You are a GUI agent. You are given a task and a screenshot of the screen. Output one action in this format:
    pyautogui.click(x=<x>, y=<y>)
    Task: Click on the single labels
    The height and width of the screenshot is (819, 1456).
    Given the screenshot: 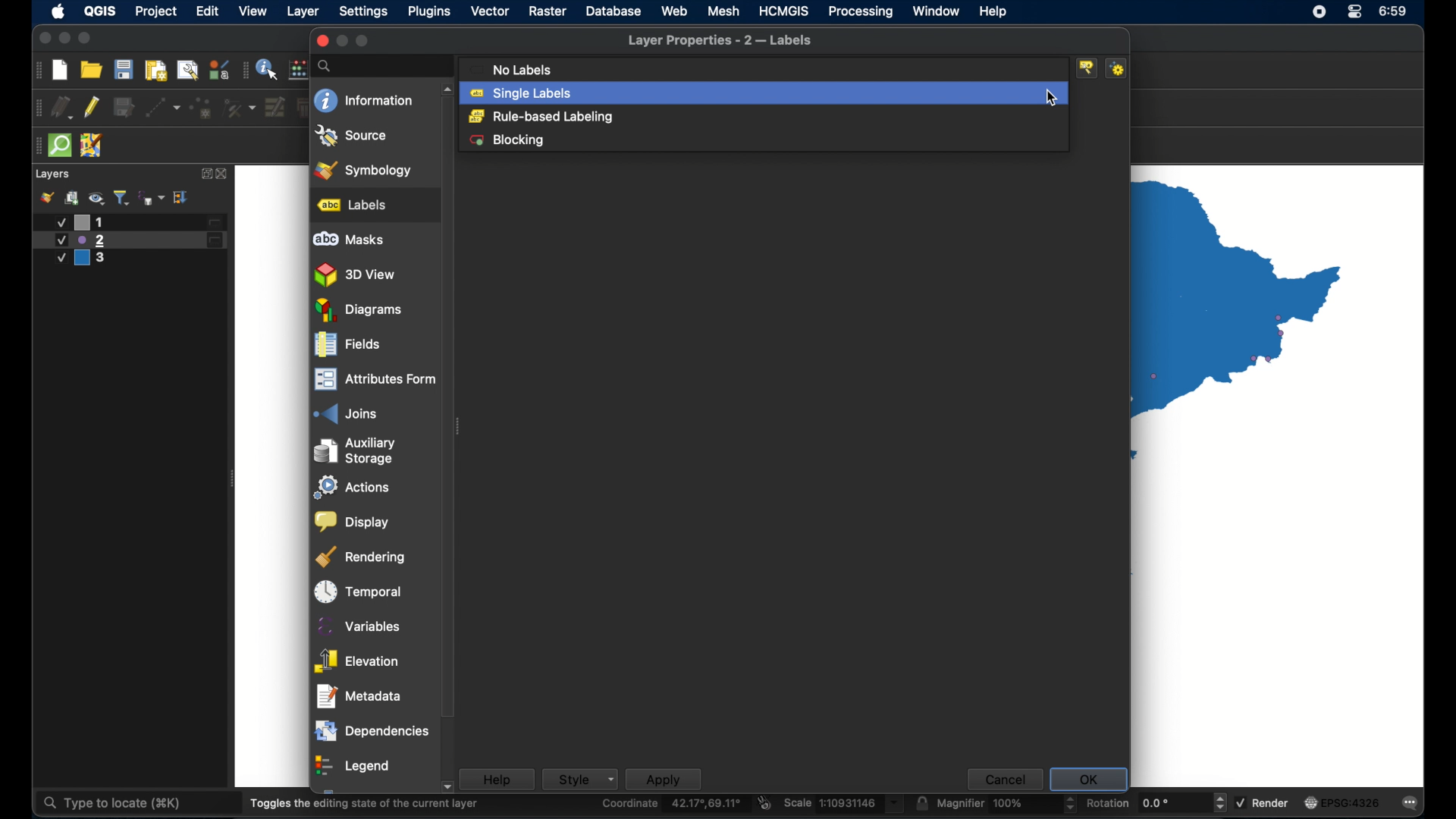 What is the action you would take?
    pyautogui.click(x=764, y=93)
    